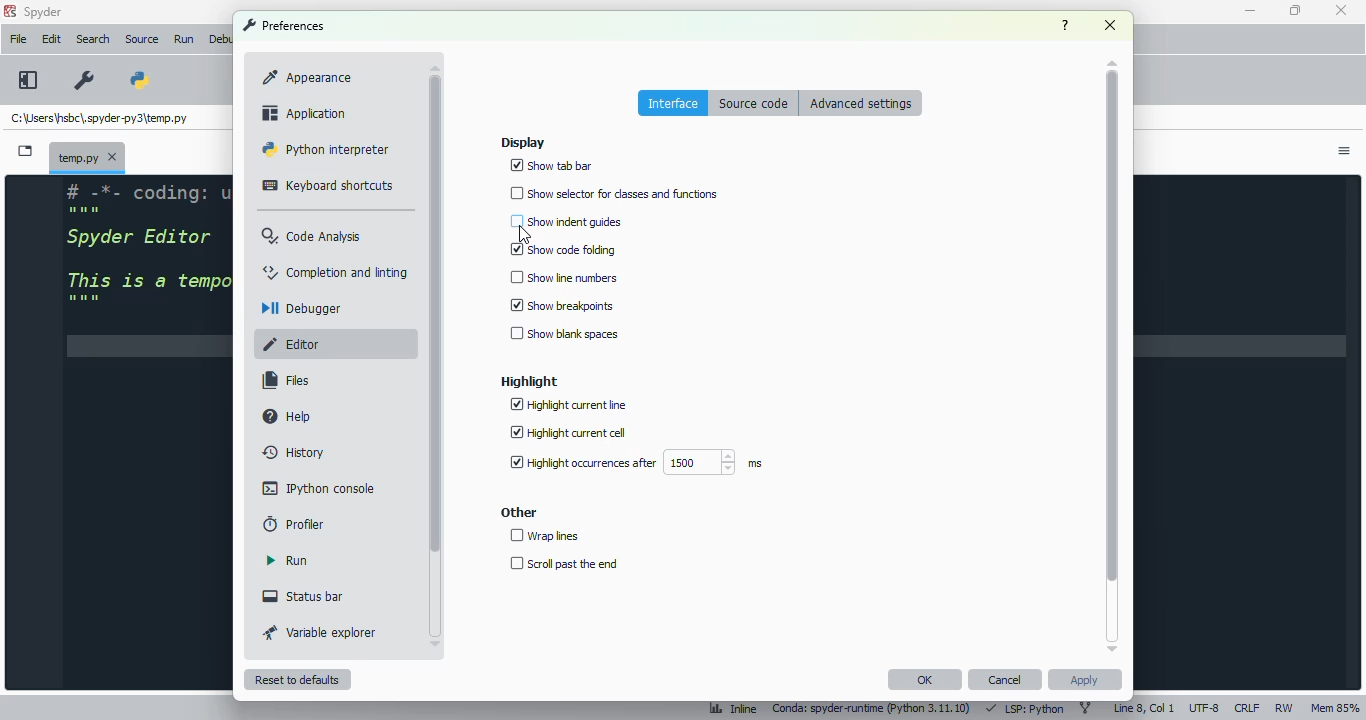 This screenshot has height=720, width=1366. I want to click on logo, so click(10, 10).